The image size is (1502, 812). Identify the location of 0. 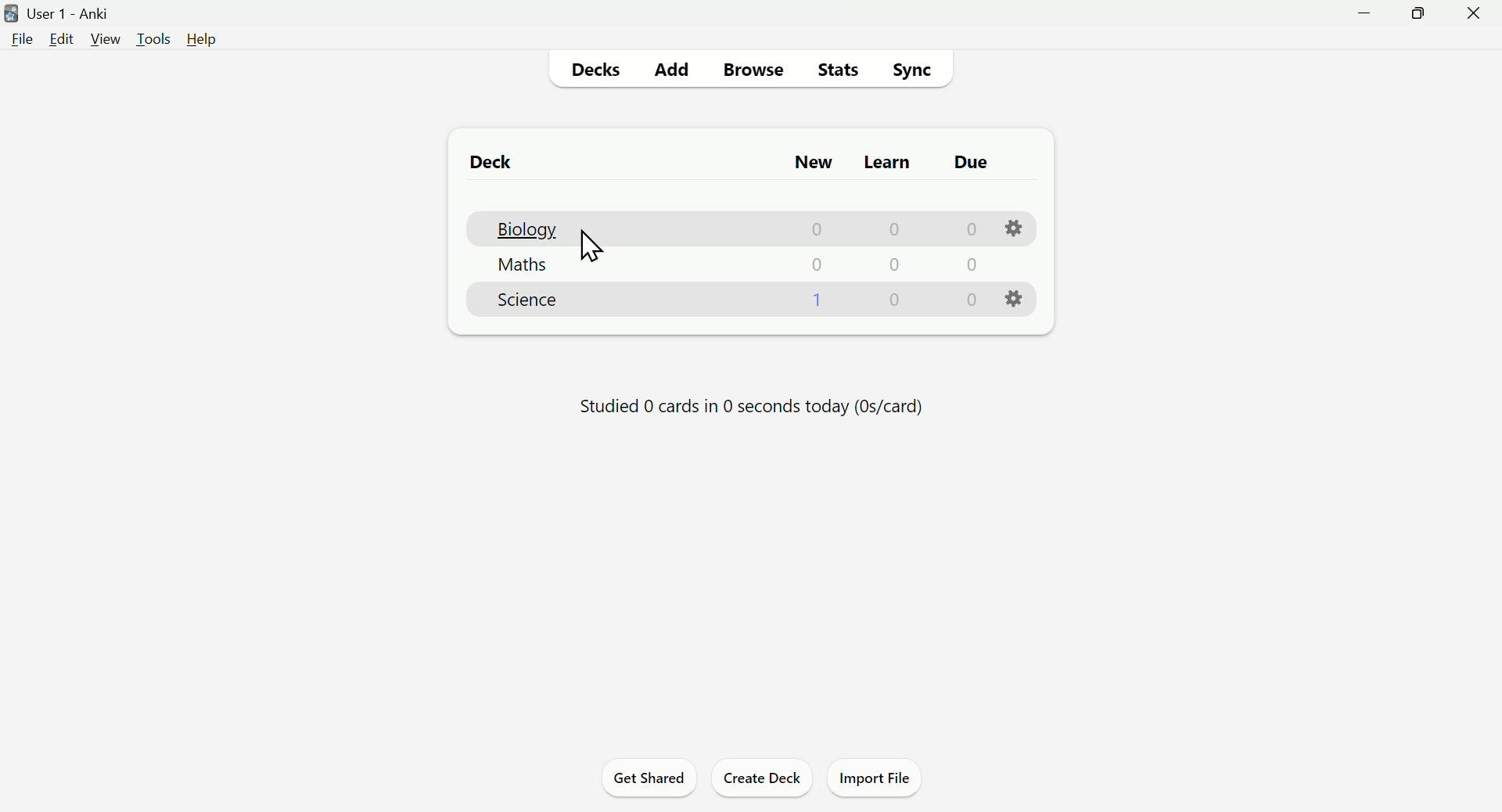
(897, 300).